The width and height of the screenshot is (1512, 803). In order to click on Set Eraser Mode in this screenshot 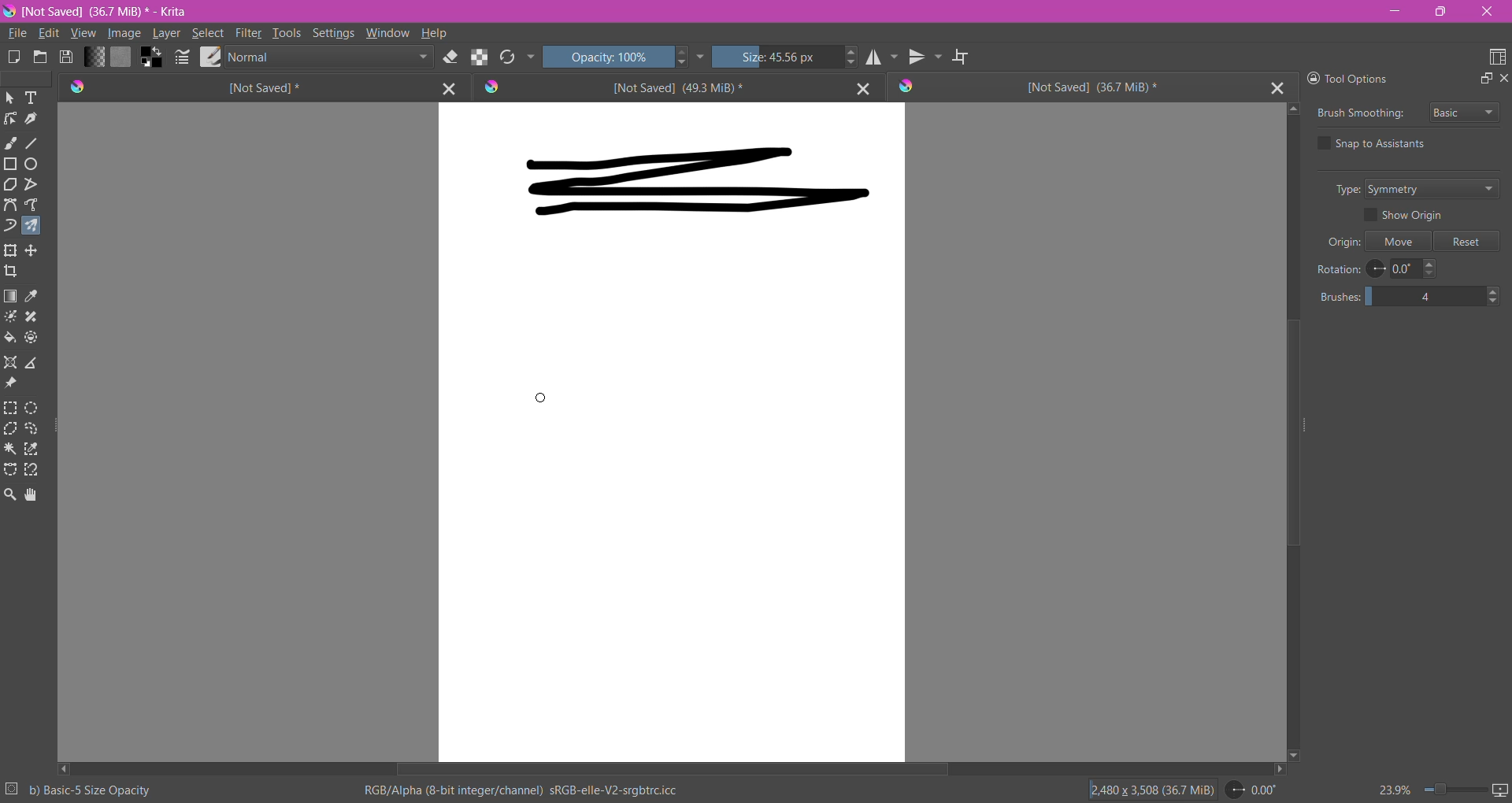, I will do `click(449, 58)`.